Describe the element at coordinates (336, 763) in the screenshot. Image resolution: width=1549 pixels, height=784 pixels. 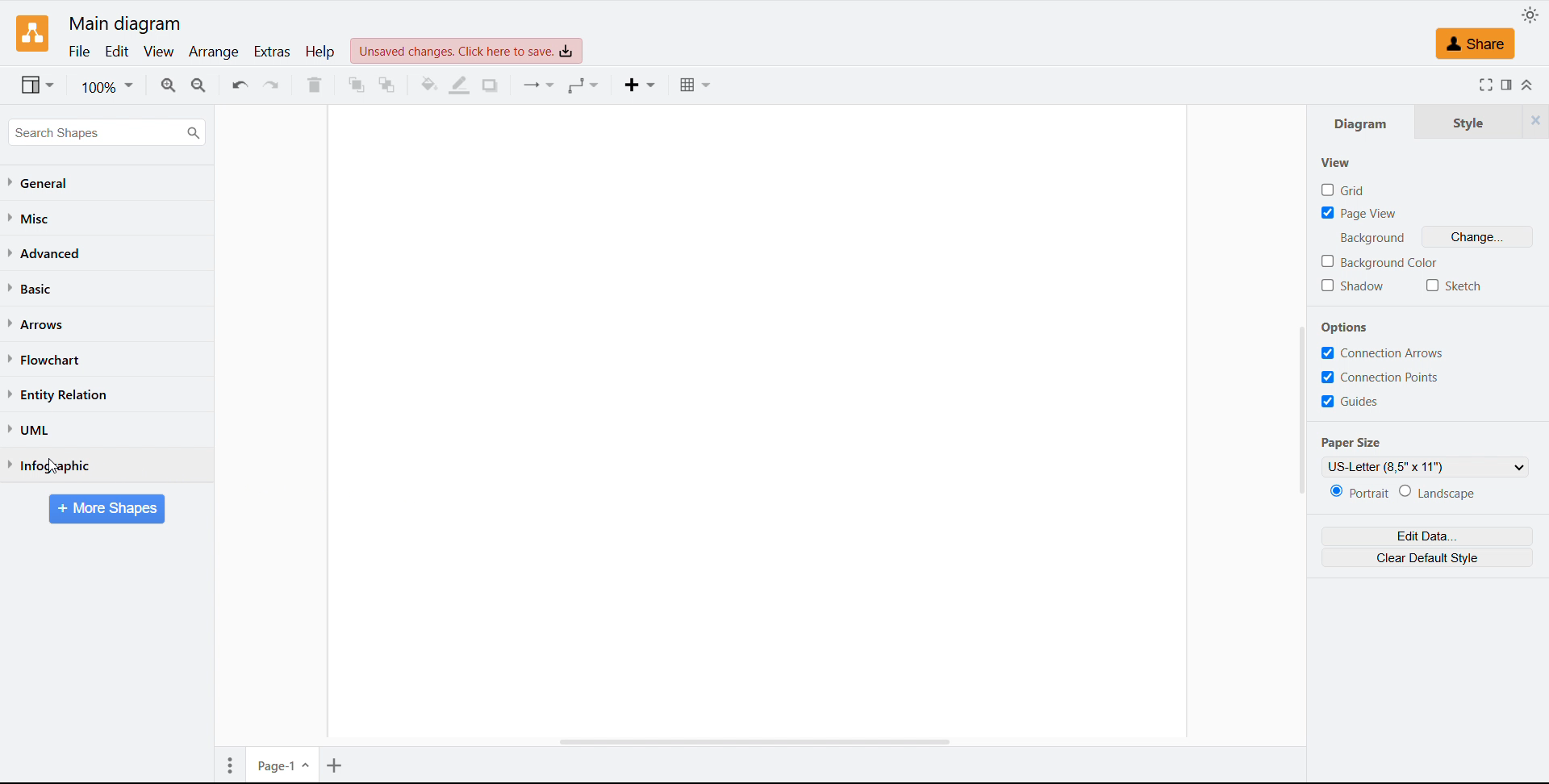
I see `Add pages ` at that location.